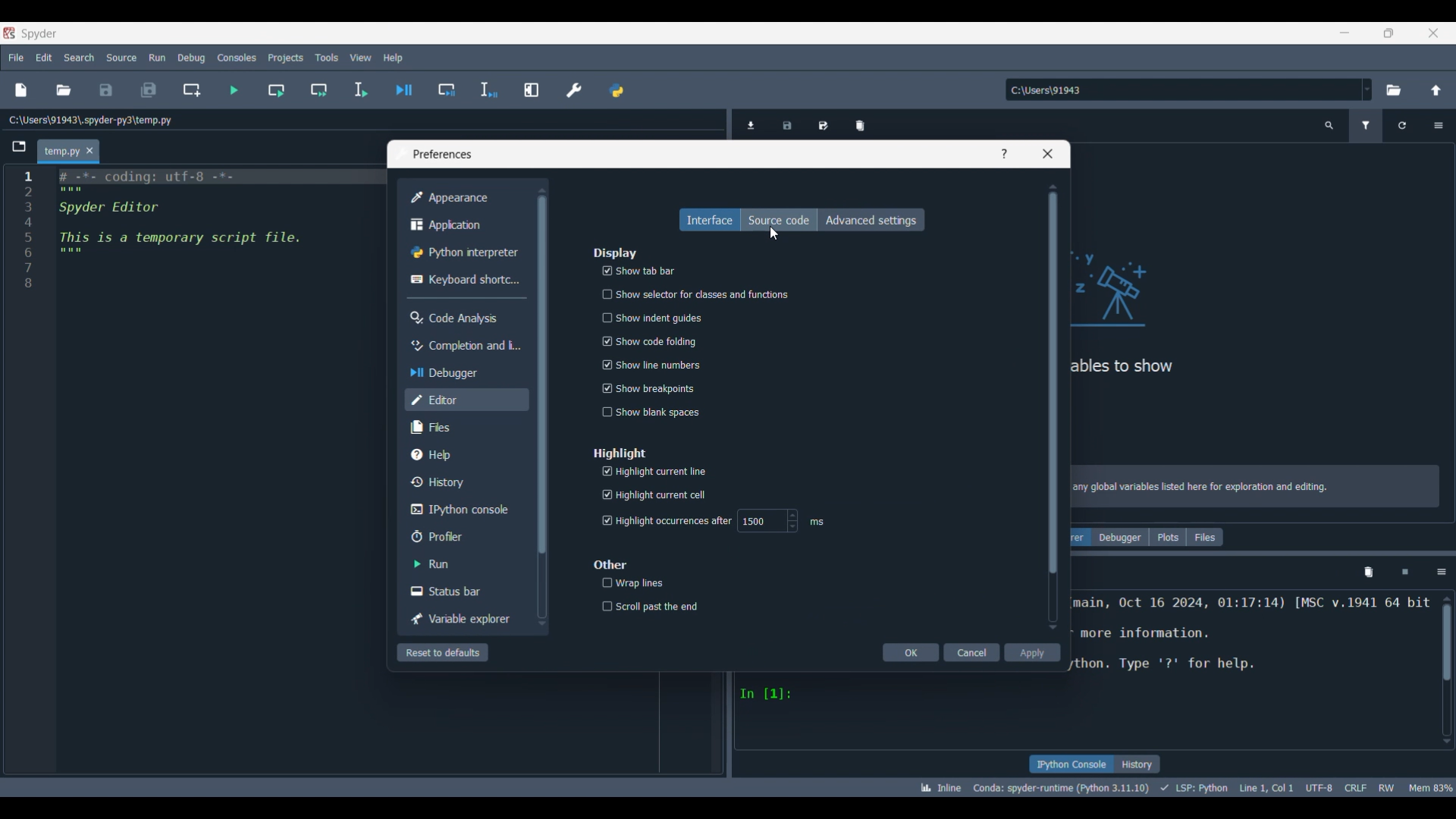 The height and width of the screenshot is (819, 1456). Describe the element at coordinates (39, 34) in the screenshot. I see `Software name` at that location.